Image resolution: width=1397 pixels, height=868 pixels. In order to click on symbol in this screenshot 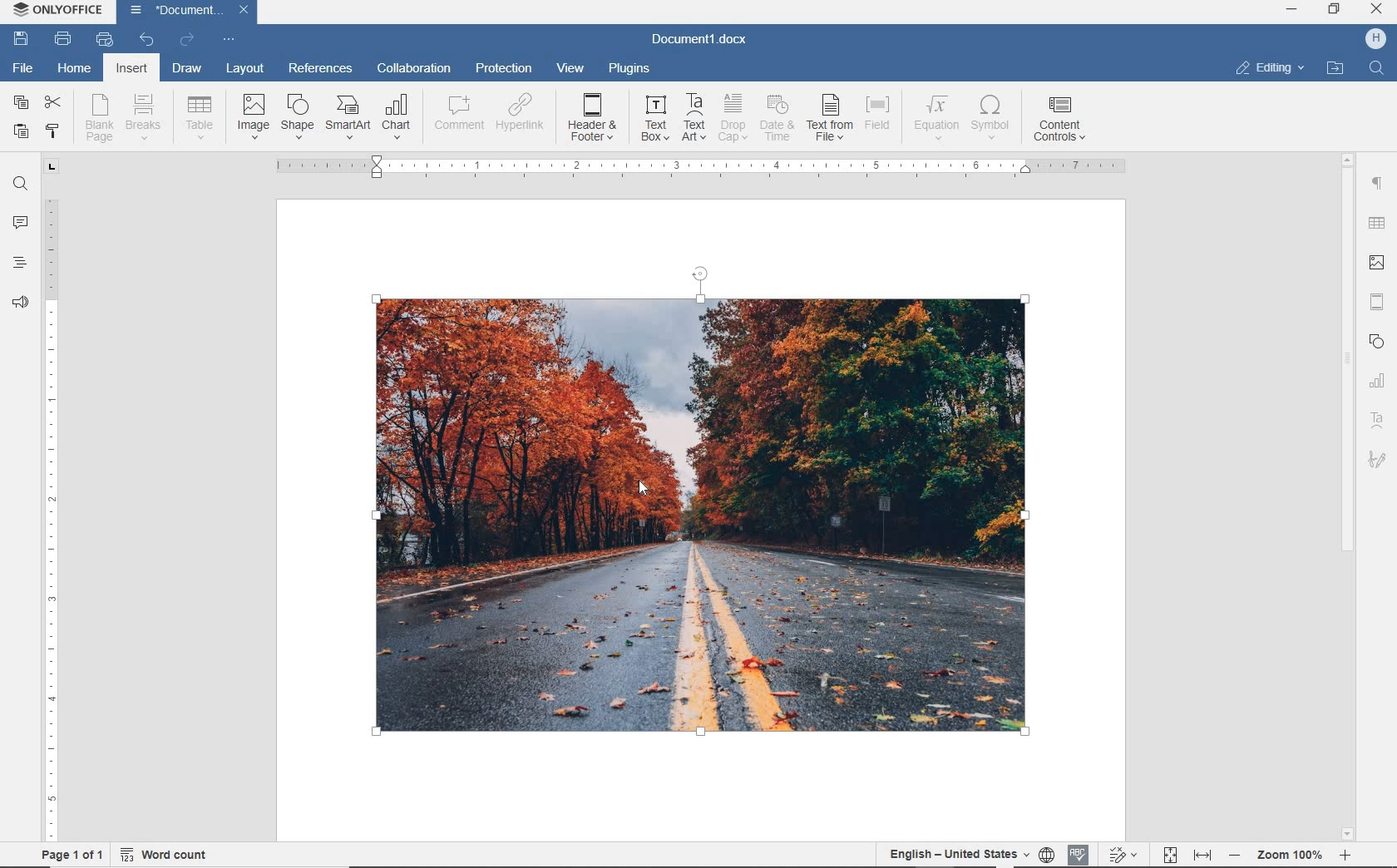, I will do `click(993, 117)`.